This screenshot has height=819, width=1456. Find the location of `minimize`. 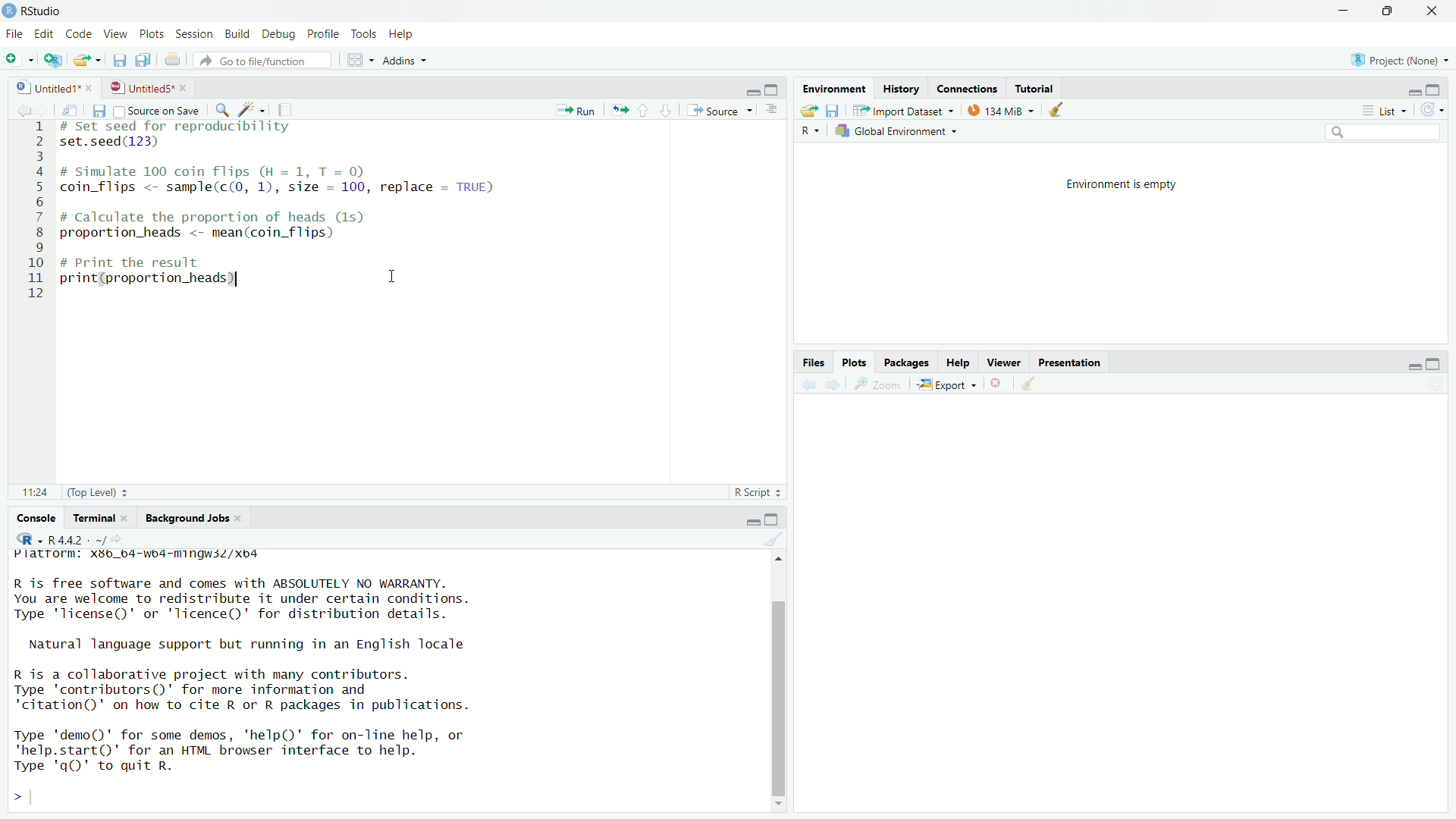

minimize is located at coordinates (753, 520).